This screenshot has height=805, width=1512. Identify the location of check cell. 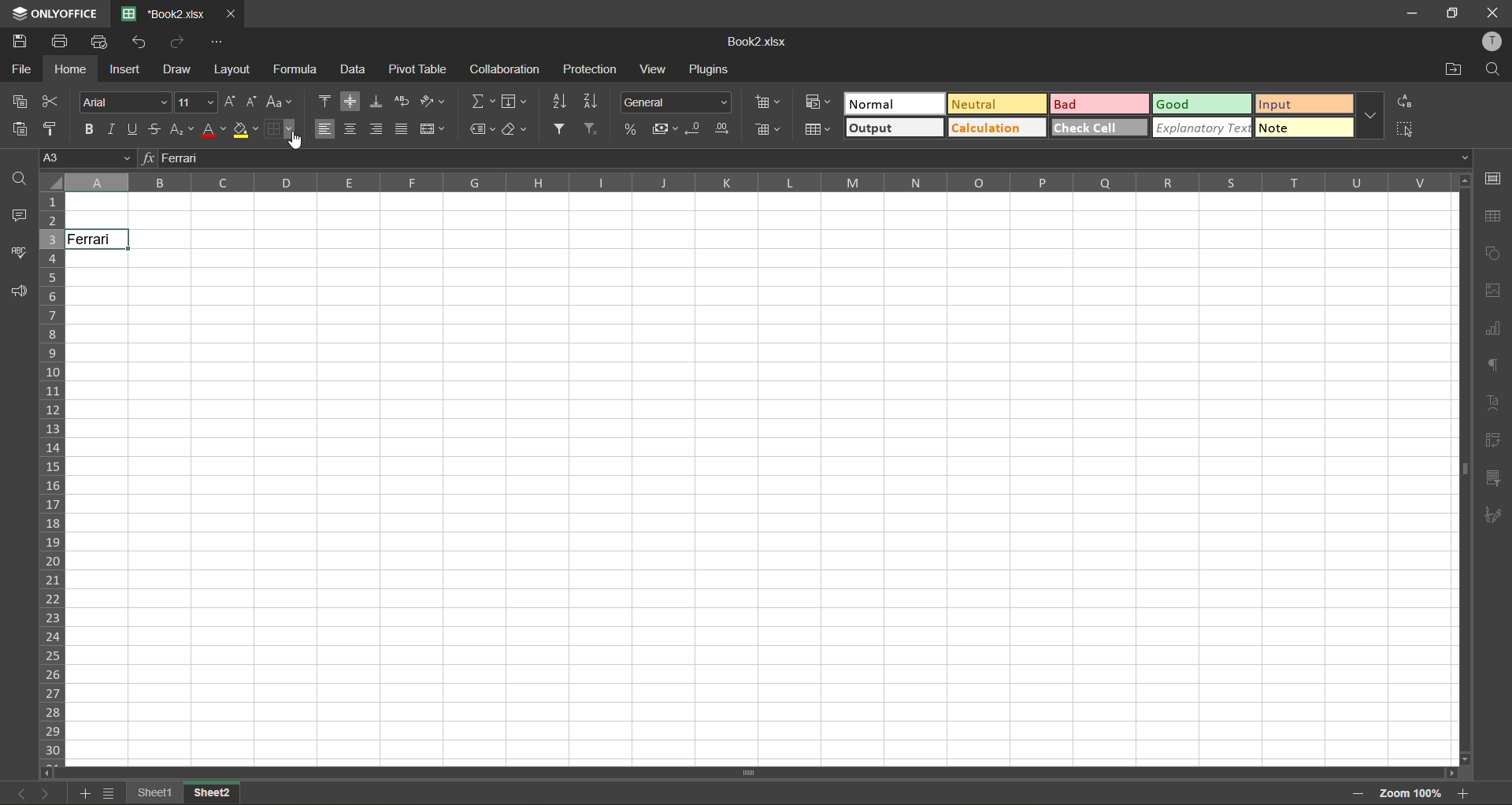
(1100, 129).